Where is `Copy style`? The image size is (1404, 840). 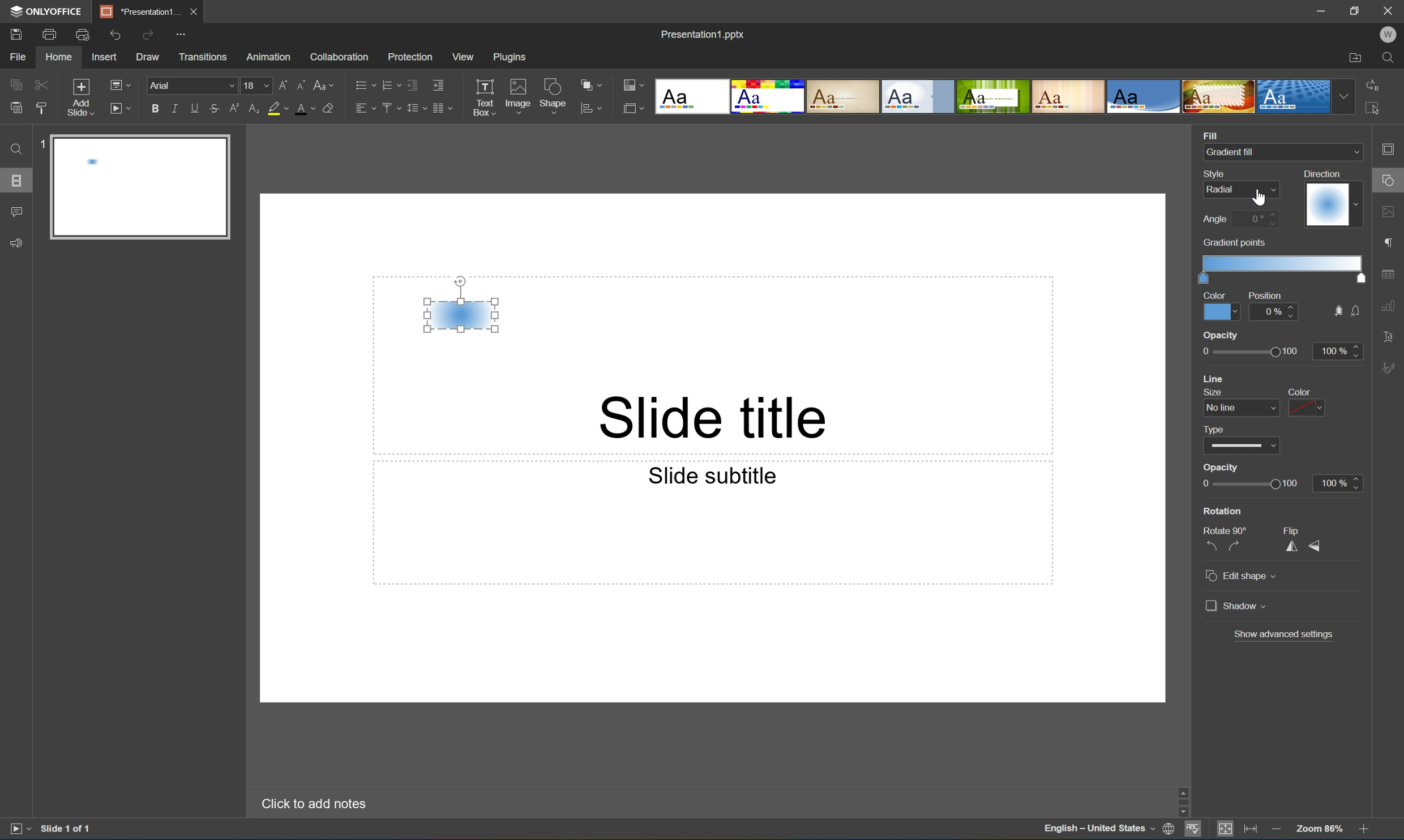 Copy style is located at coordinates (41, 108).